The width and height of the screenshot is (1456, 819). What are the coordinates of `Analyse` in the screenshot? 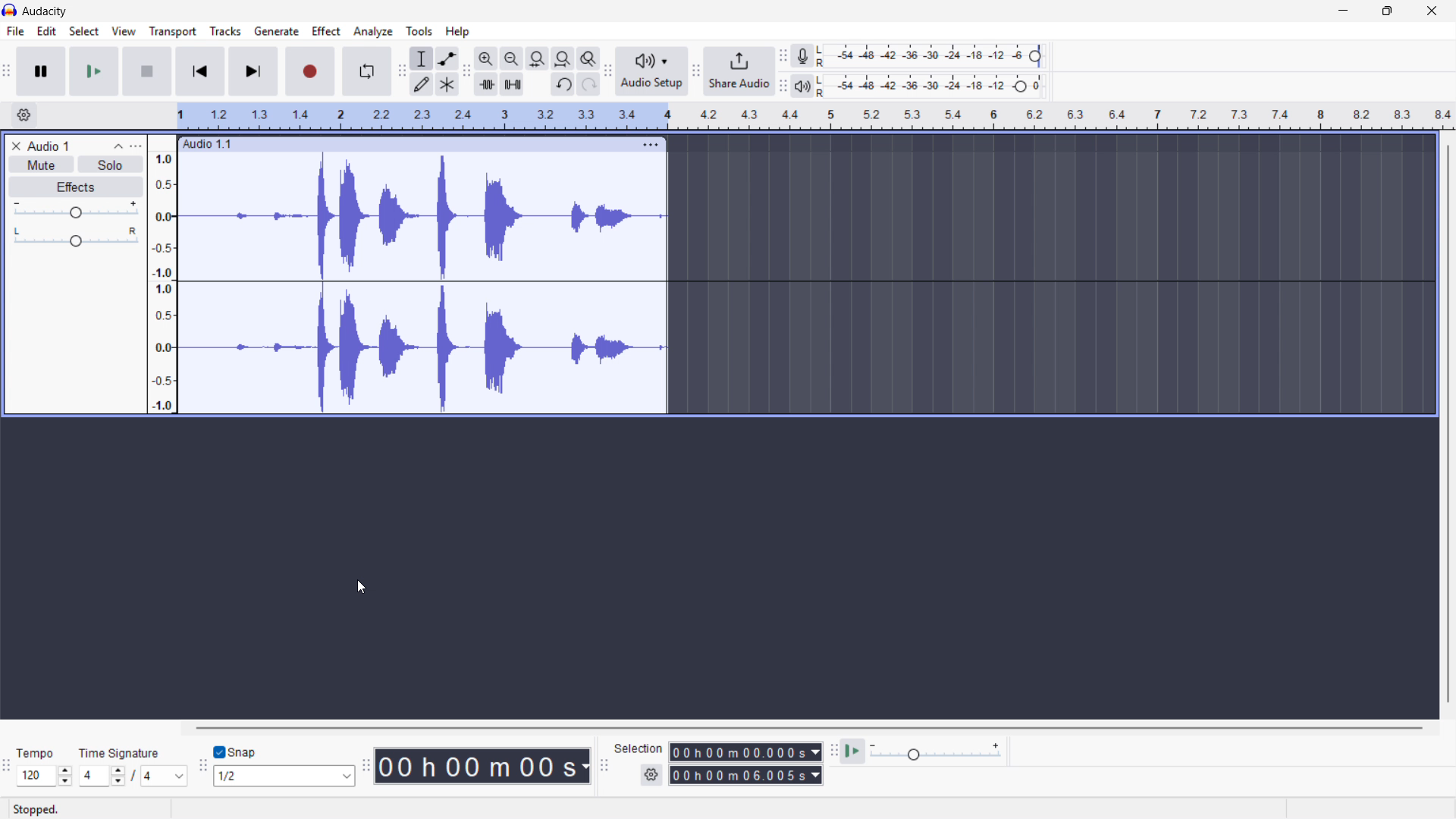 It's located at (372, 31).